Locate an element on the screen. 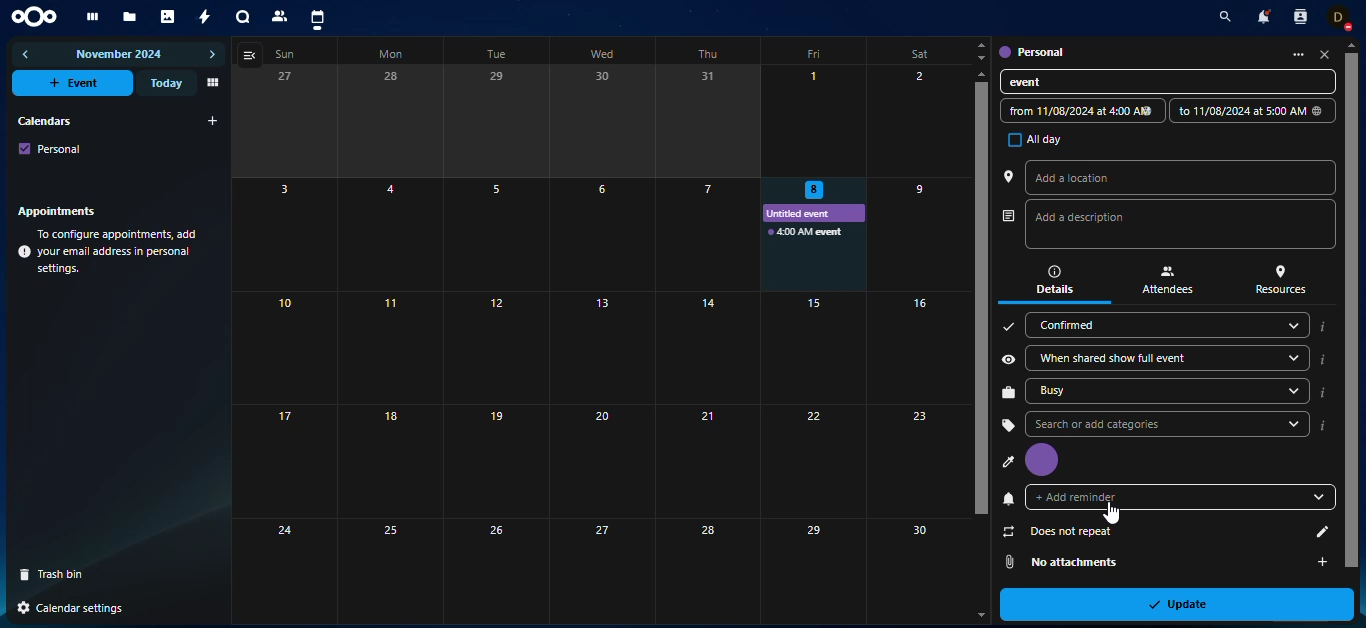 This screenshot has width=1366, height=628. dashboard is located at coordinates (90, 17).